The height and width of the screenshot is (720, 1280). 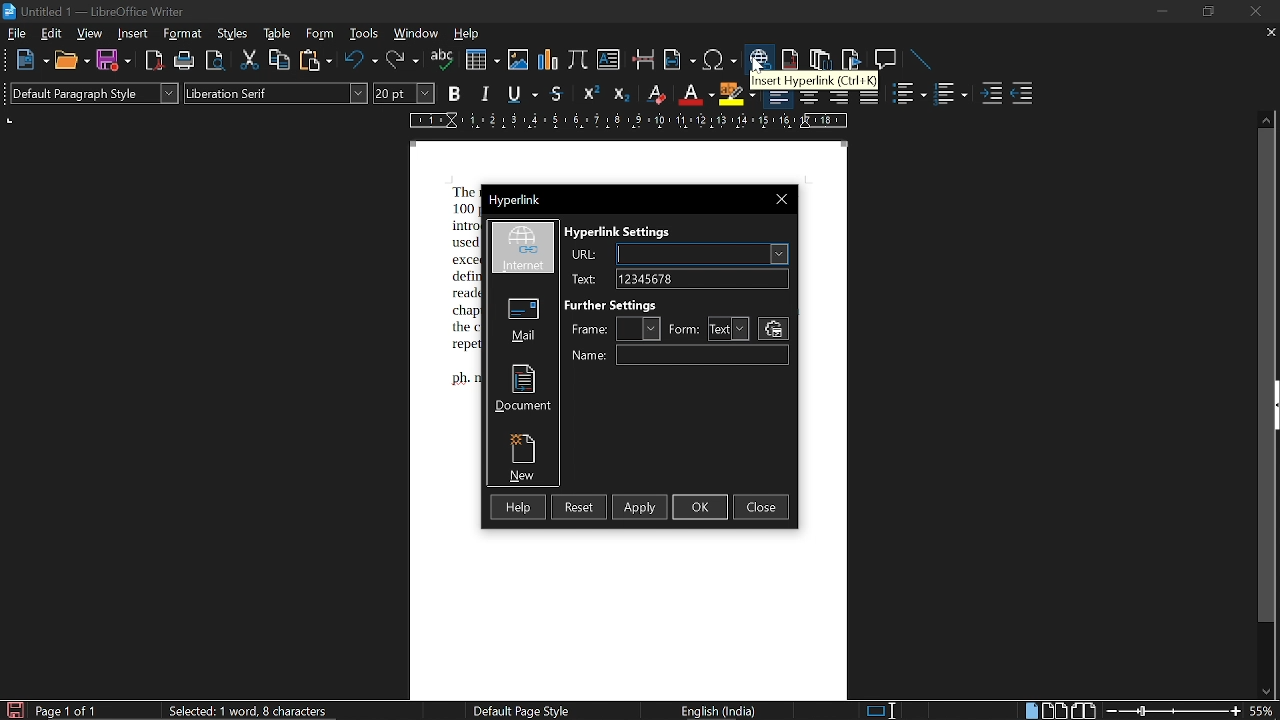 I want to click on insert endnote, so click(x=822, y=59).